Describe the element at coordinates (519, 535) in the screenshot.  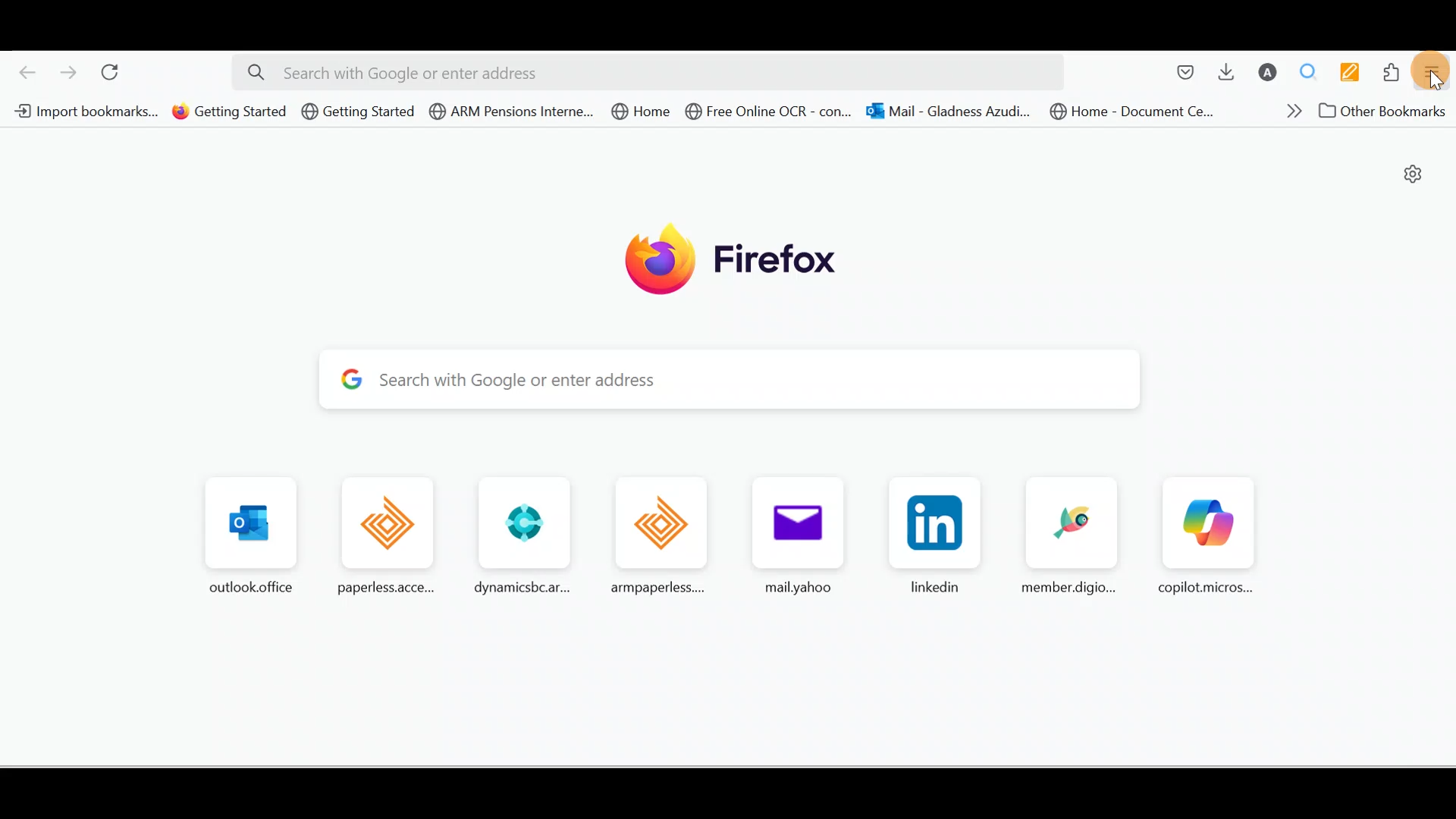
I see `Frequently browsed page` at that location.